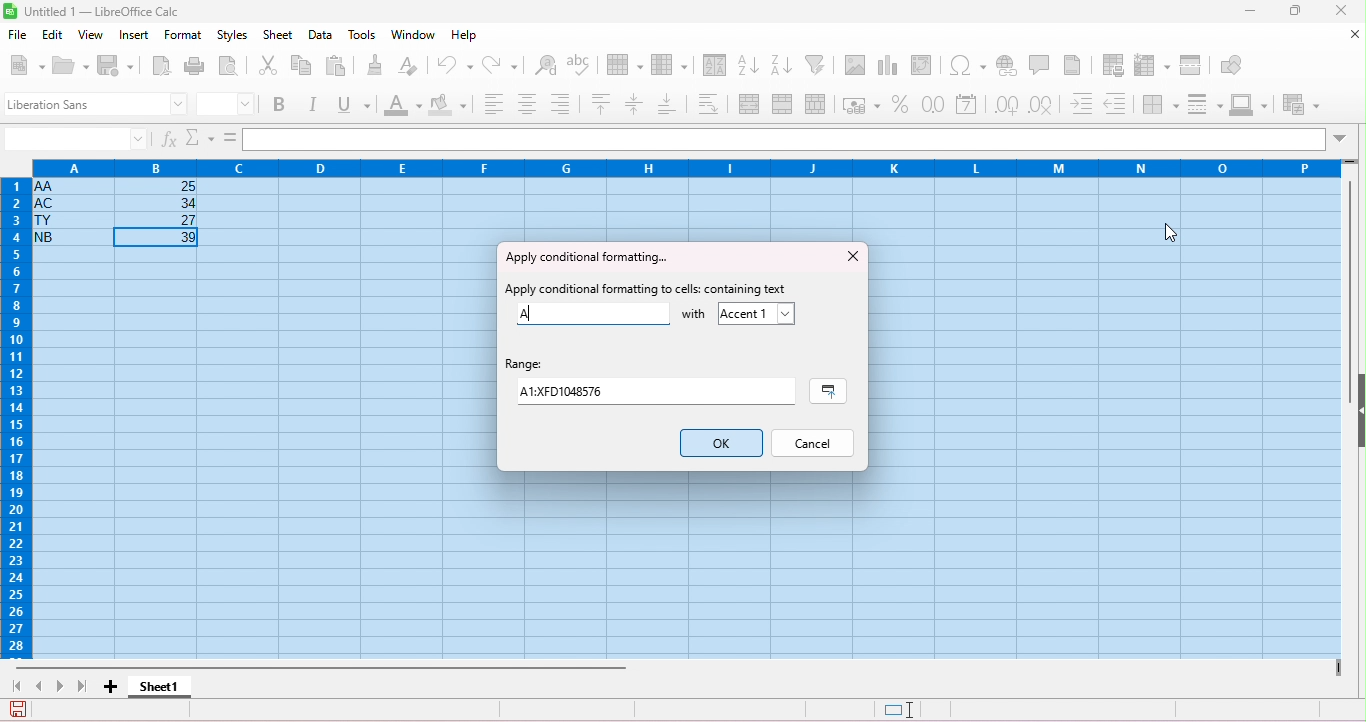  What do you see at coordinates (1249, 12) in the screenshot?
I see `minimize` at bounding box center [1249, 12].